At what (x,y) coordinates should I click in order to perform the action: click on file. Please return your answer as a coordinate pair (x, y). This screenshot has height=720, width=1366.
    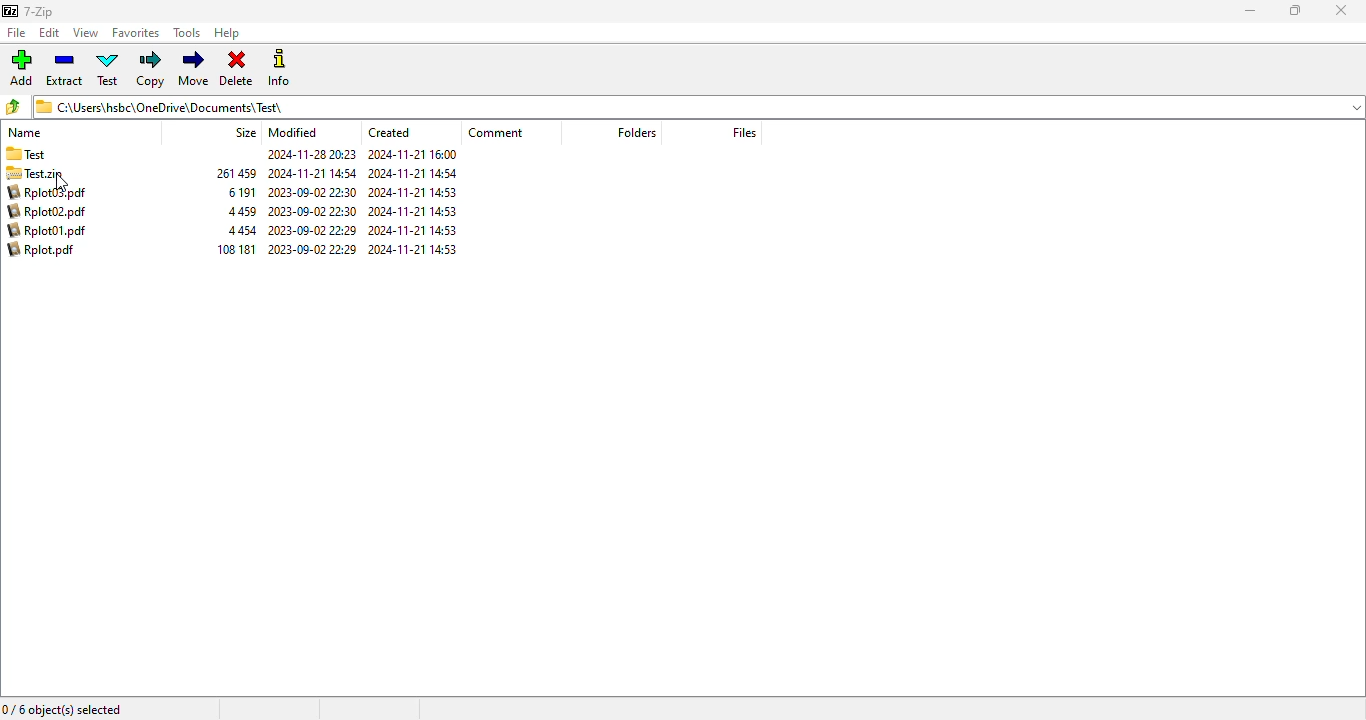
    Looking at the image, I should click on (15, 33).